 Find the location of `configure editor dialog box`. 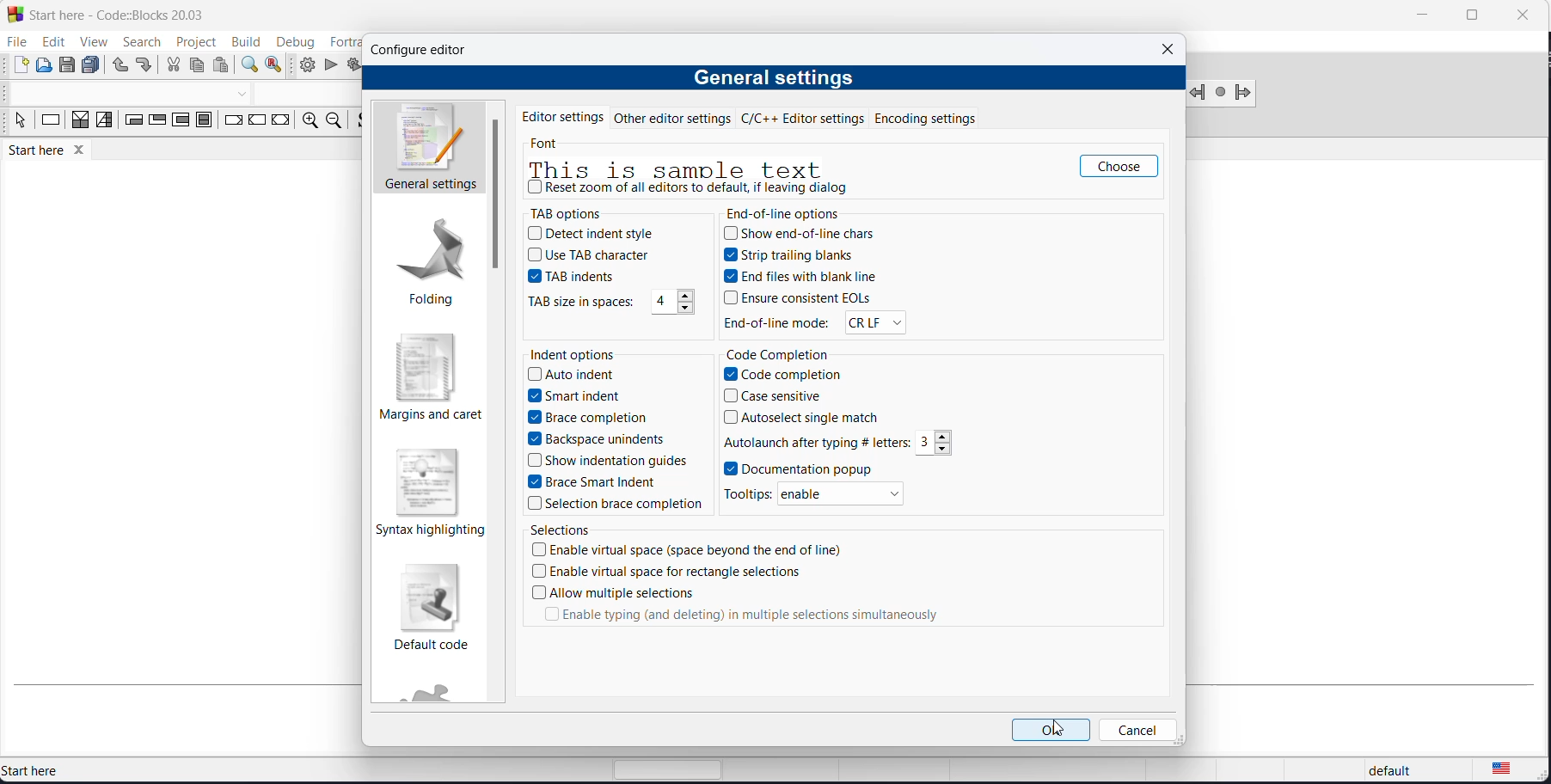

configure editor dialog box is located at coordinates (422, 49).